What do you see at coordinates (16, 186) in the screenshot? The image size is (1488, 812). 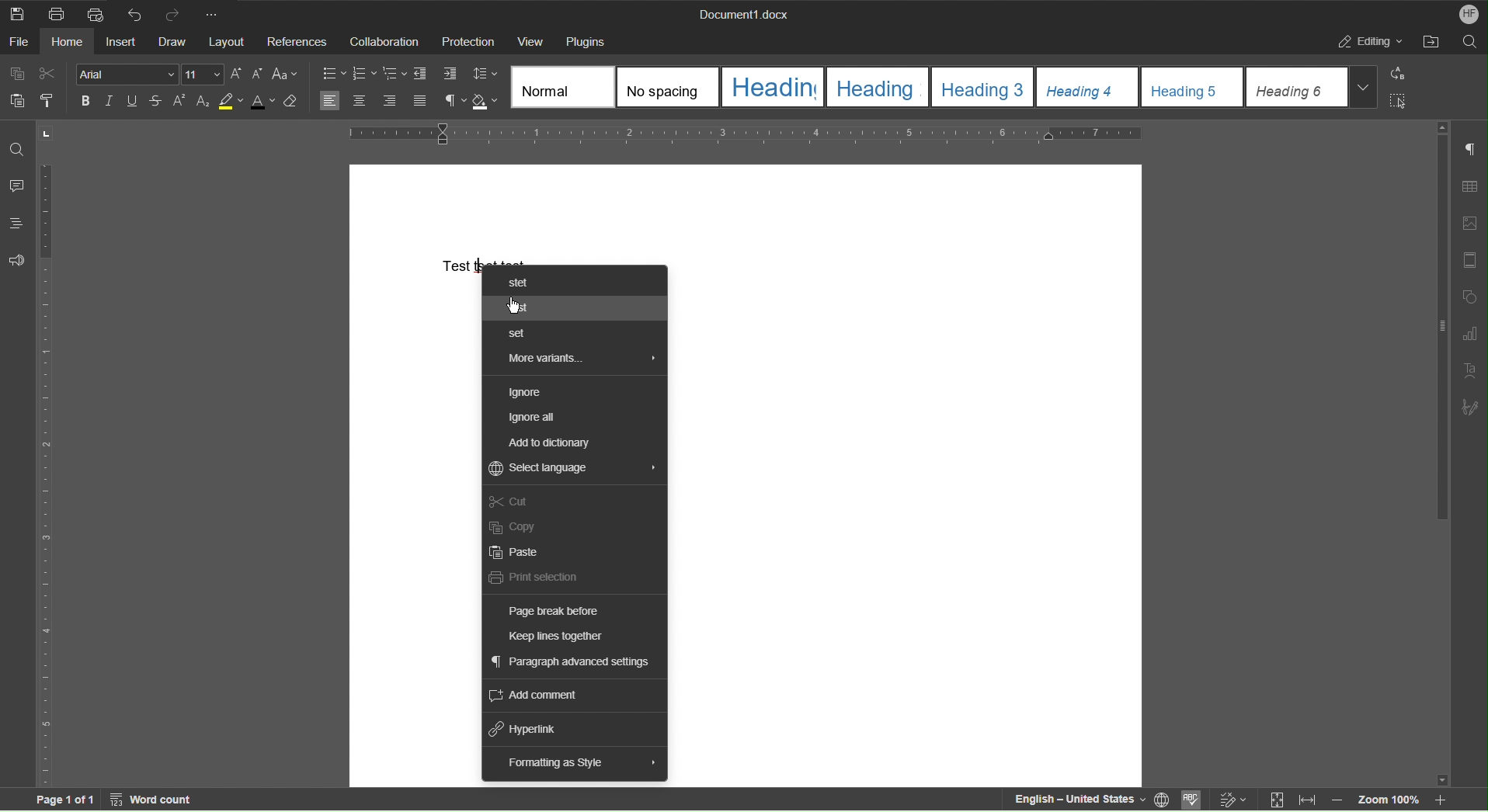 I see `Comments` at bounding box center [16, 186].